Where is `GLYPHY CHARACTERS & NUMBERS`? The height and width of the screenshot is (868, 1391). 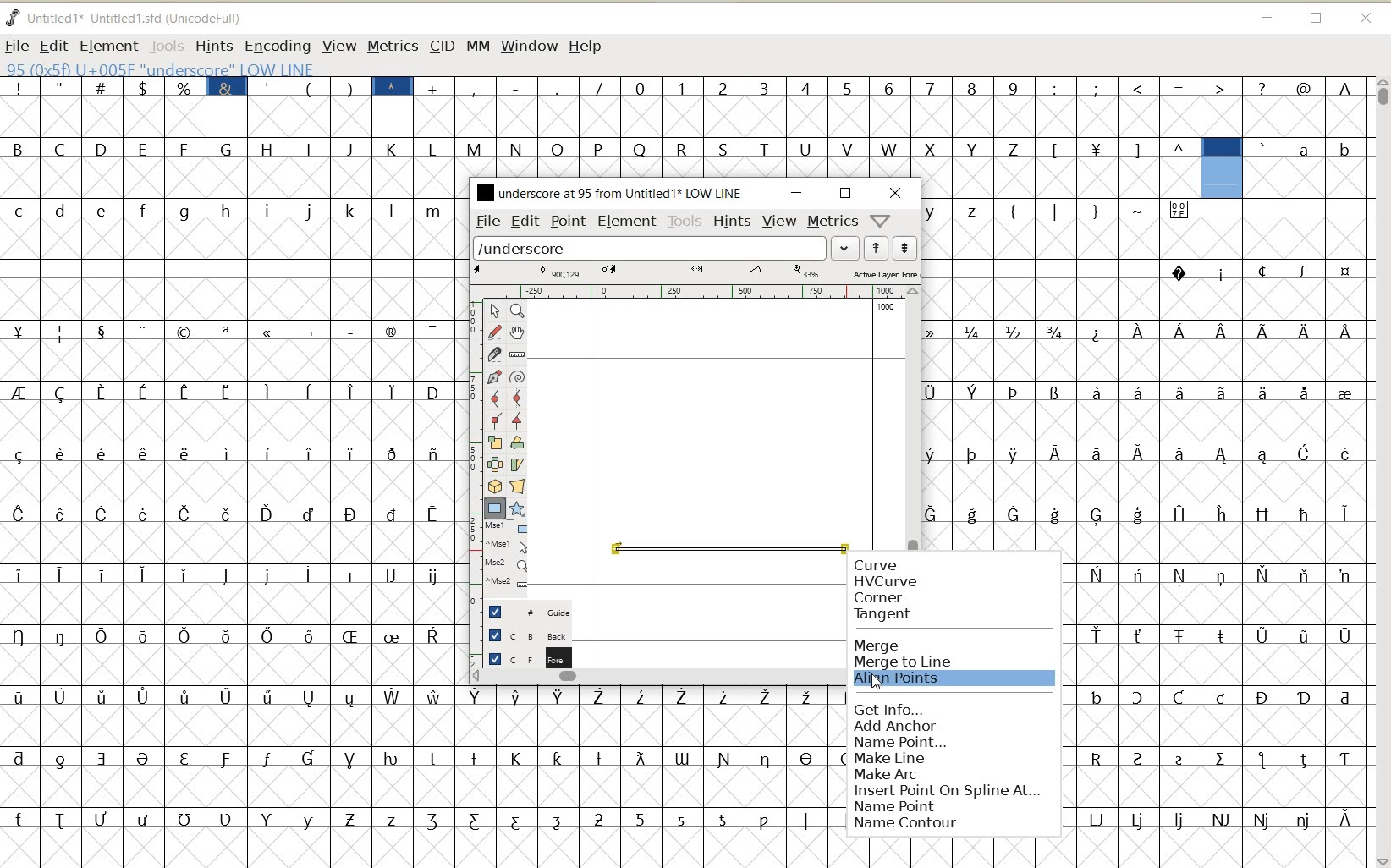 GLYPHY CHARACTERS & NUMBERS is located at coordinates (652, 767).